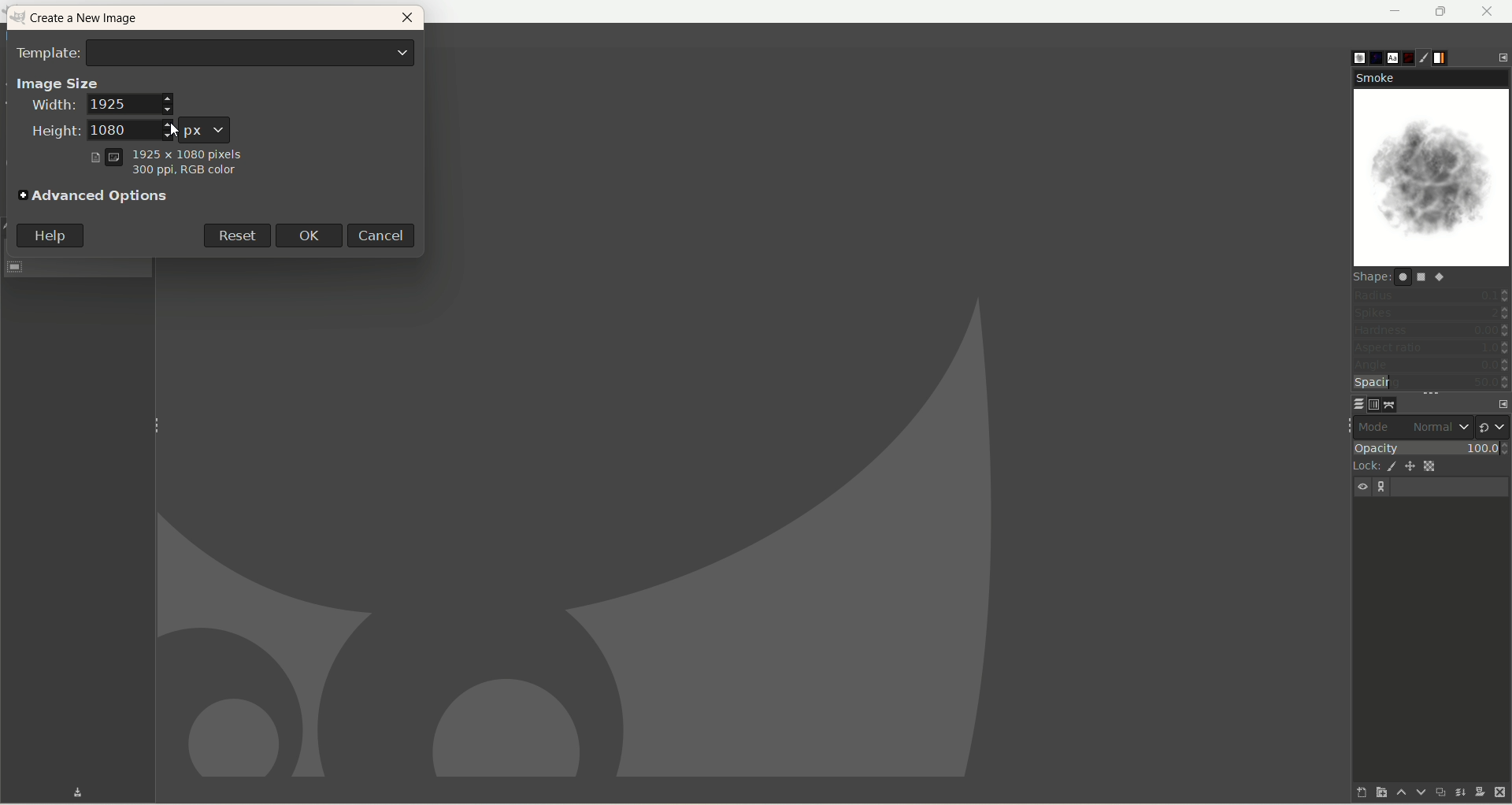  I want to click on close, so click(407, 20).